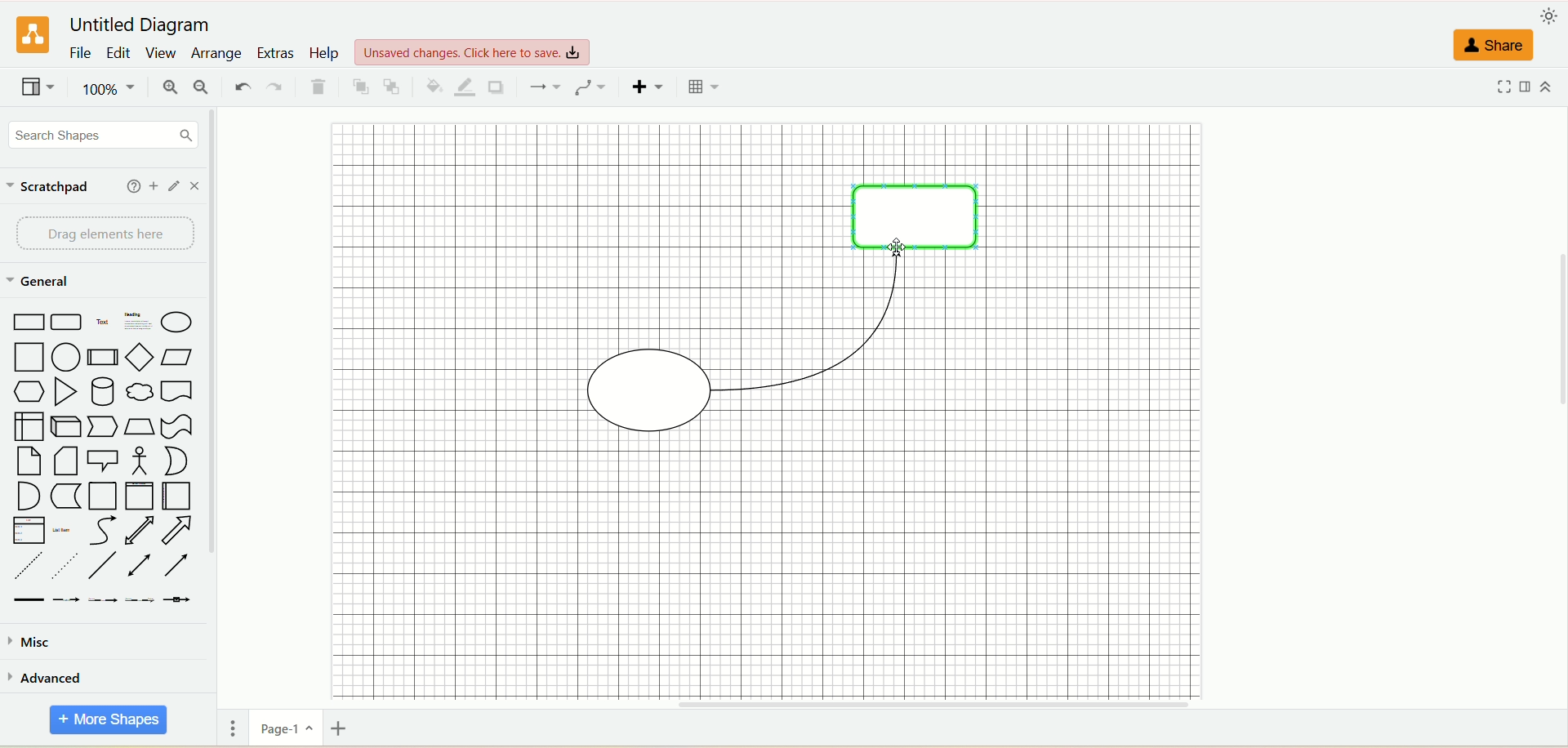 This screenshot has width=1568, height=748. What do you see at coordinates (815, 321) in the screenshot?
I see `connector` at bounding box center [815, 321].